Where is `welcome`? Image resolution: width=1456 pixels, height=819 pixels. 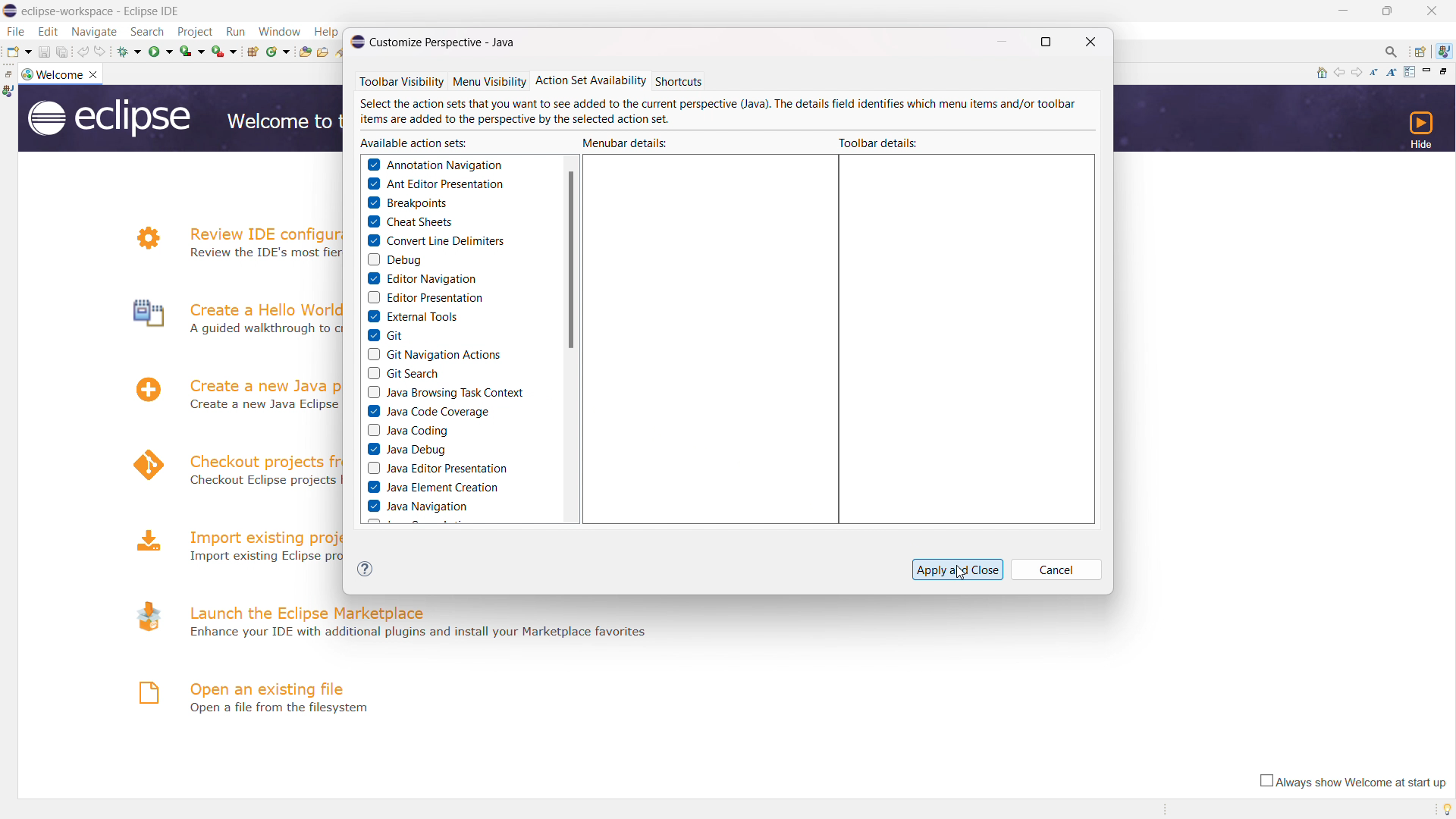 welcome is located at coordinates (60, 74).